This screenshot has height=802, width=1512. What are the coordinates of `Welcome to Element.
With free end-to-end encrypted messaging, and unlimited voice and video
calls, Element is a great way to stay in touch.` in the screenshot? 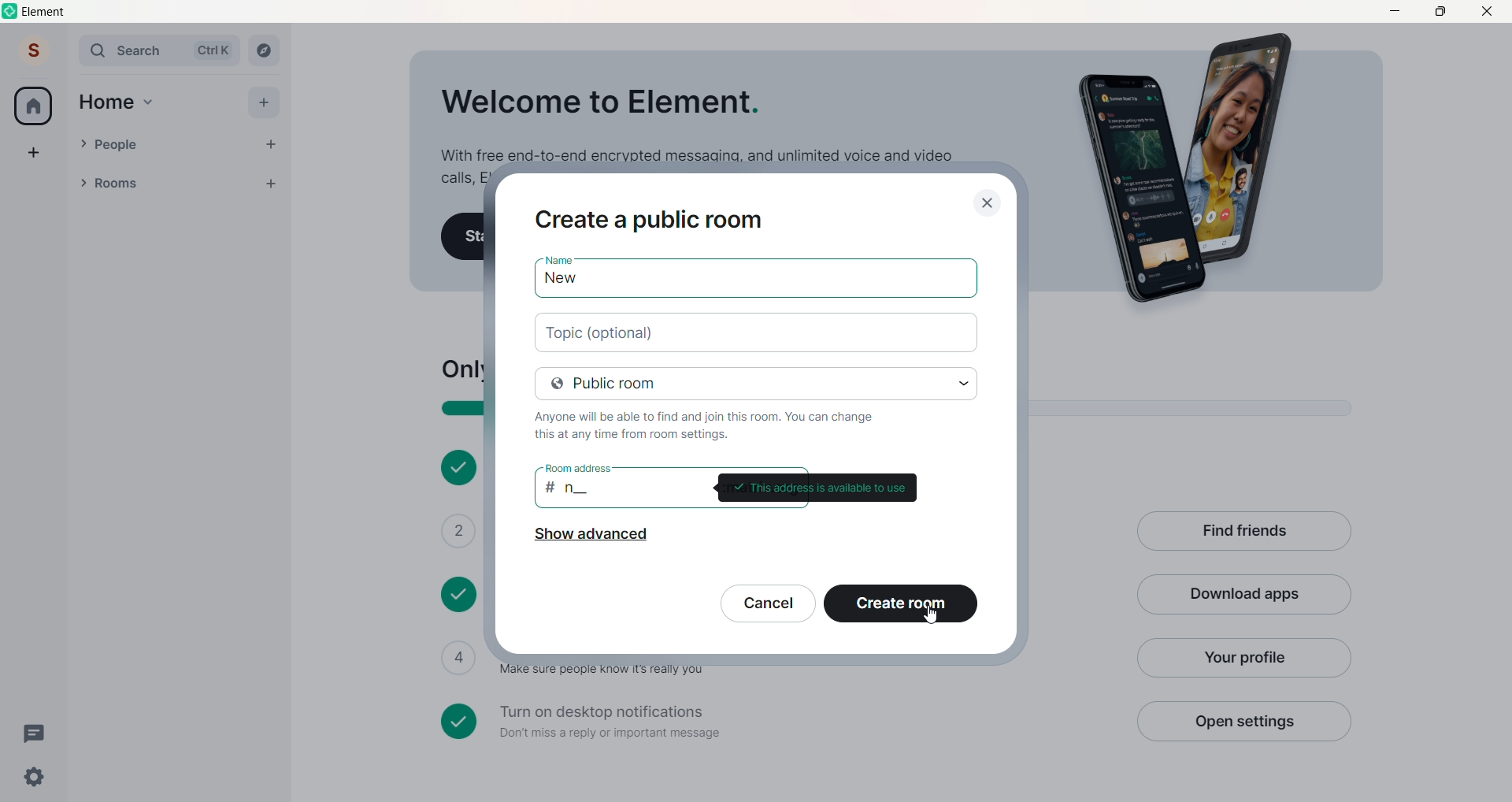 It's located at (695, 120).